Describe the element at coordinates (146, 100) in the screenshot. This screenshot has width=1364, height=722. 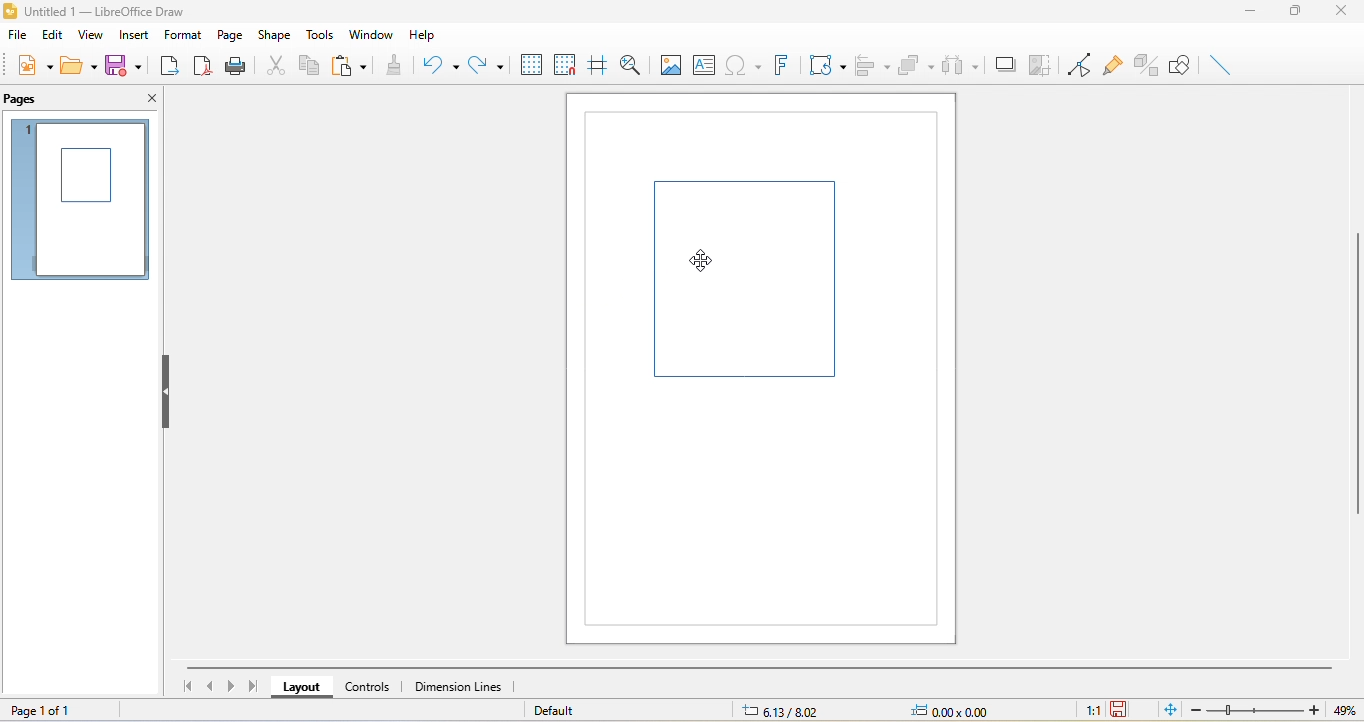
I see `close` at that location.